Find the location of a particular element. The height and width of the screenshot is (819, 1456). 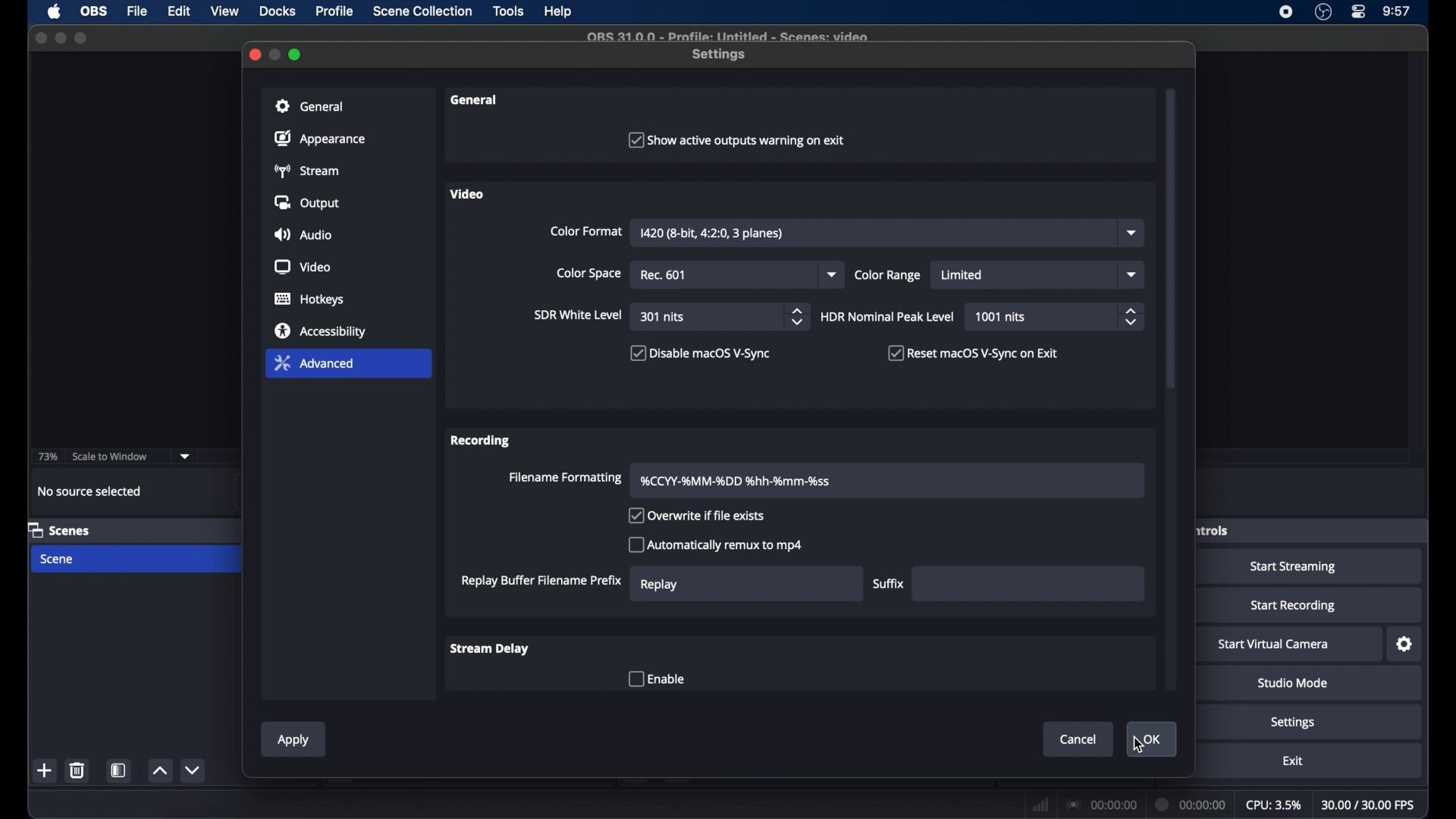

checkbox is located at coordinates (974, 353).